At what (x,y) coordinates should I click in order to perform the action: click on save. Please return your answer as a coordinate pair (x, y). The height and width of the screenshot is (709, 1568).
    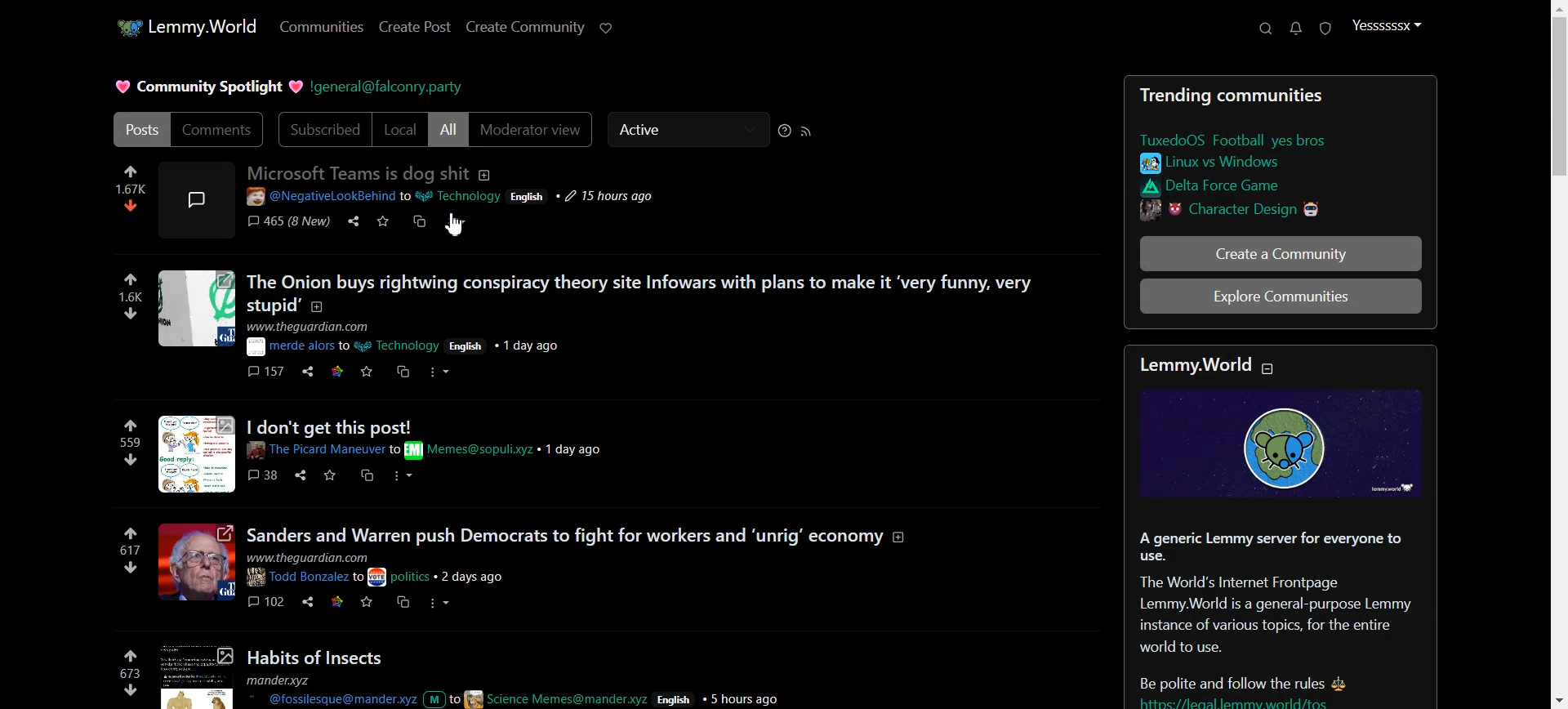
    Looking at the image, I should click on (385, 224).